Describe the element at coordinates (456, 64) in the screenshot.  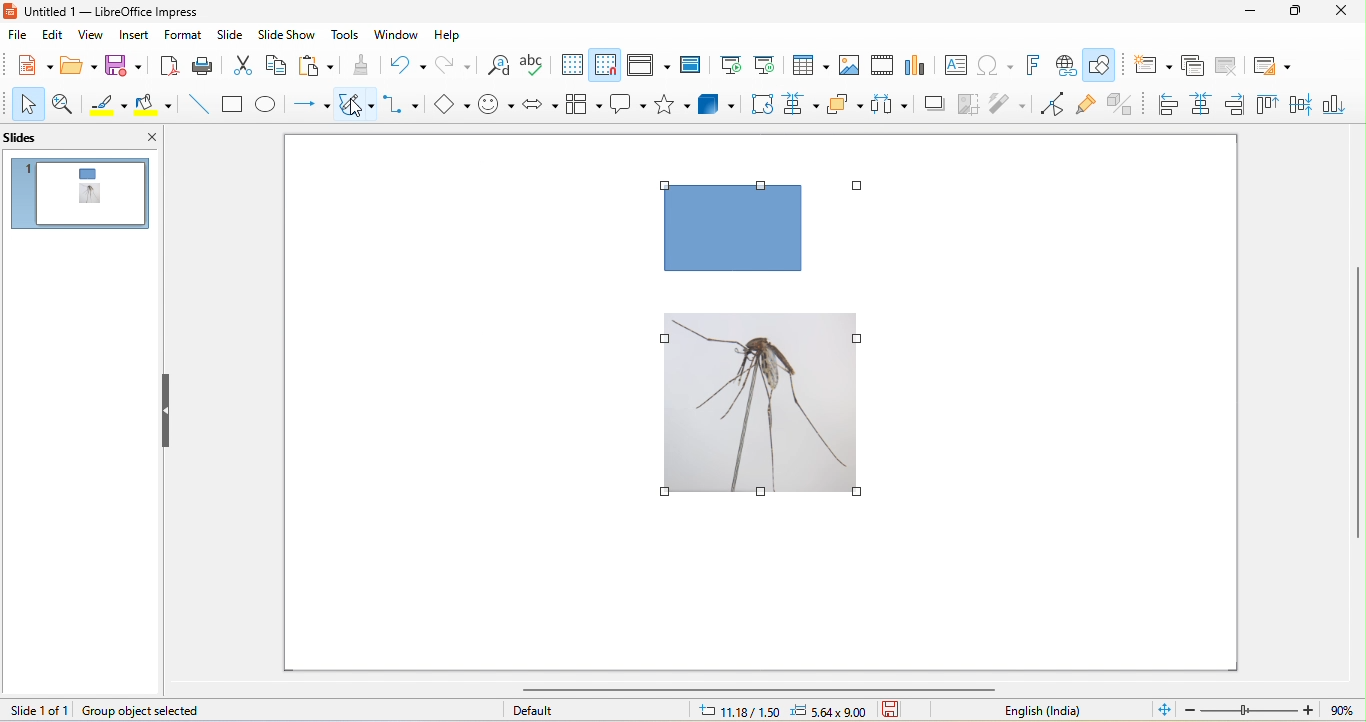
I see `redo` at that location.